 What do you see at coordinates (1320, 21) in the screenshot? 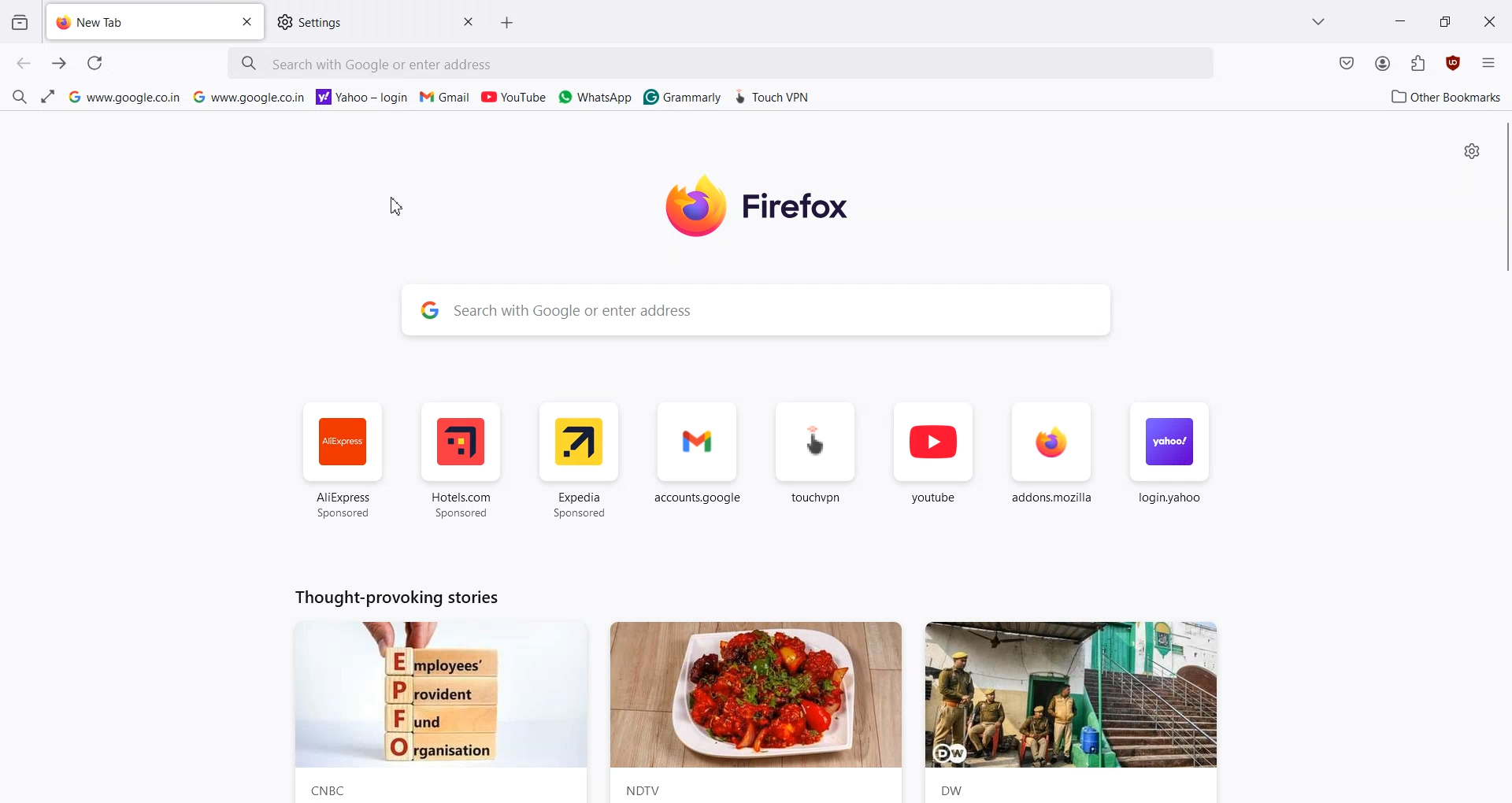
I see `List all tab` at bounding box center [1320, 21].